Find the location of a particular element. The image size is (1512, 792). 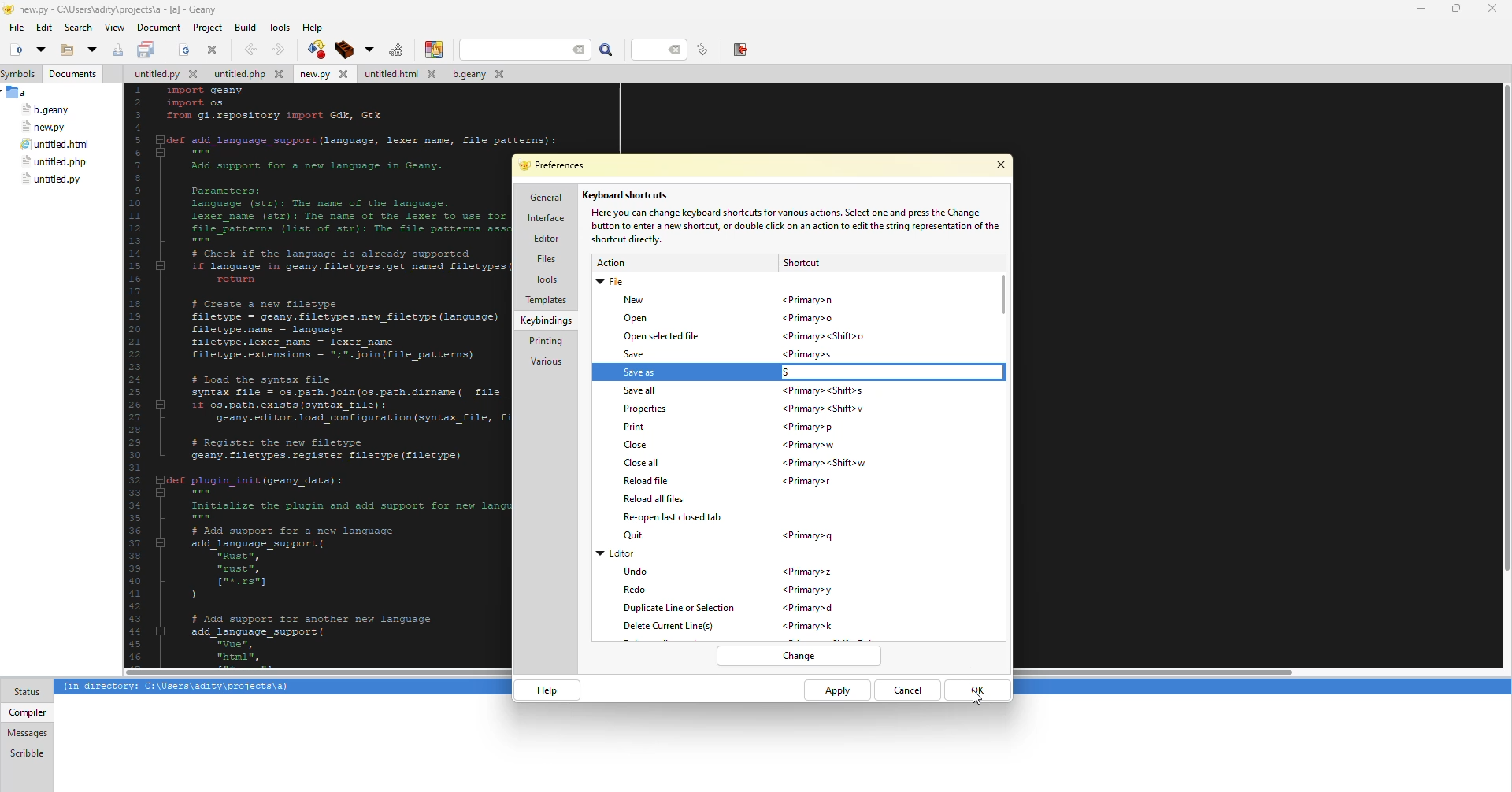

compiler is located at coordinates (26, 712).